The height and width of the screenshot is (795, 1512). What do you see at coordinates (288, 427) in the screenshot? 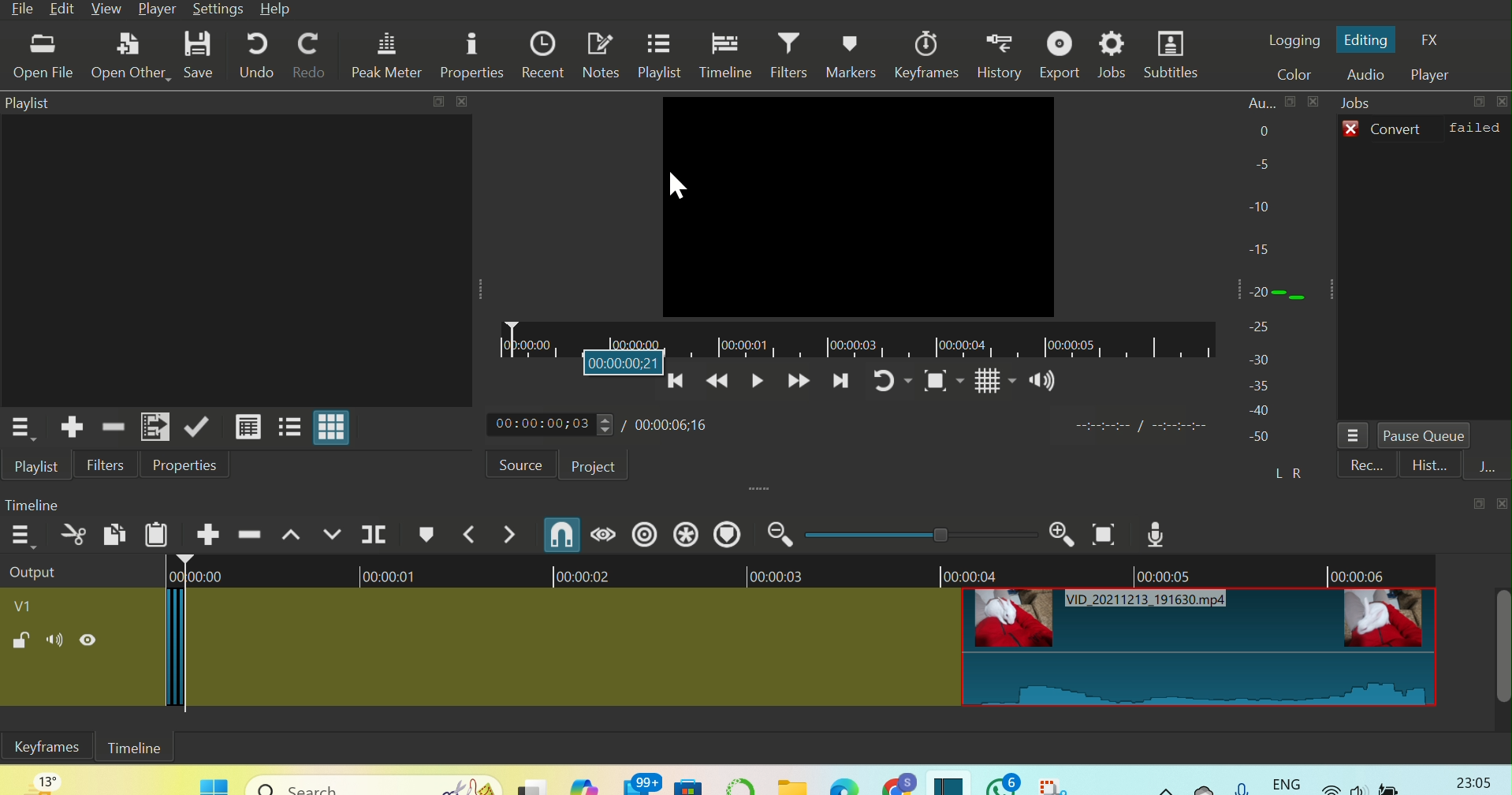
I see `View as list` at bounding box center [288, 427].